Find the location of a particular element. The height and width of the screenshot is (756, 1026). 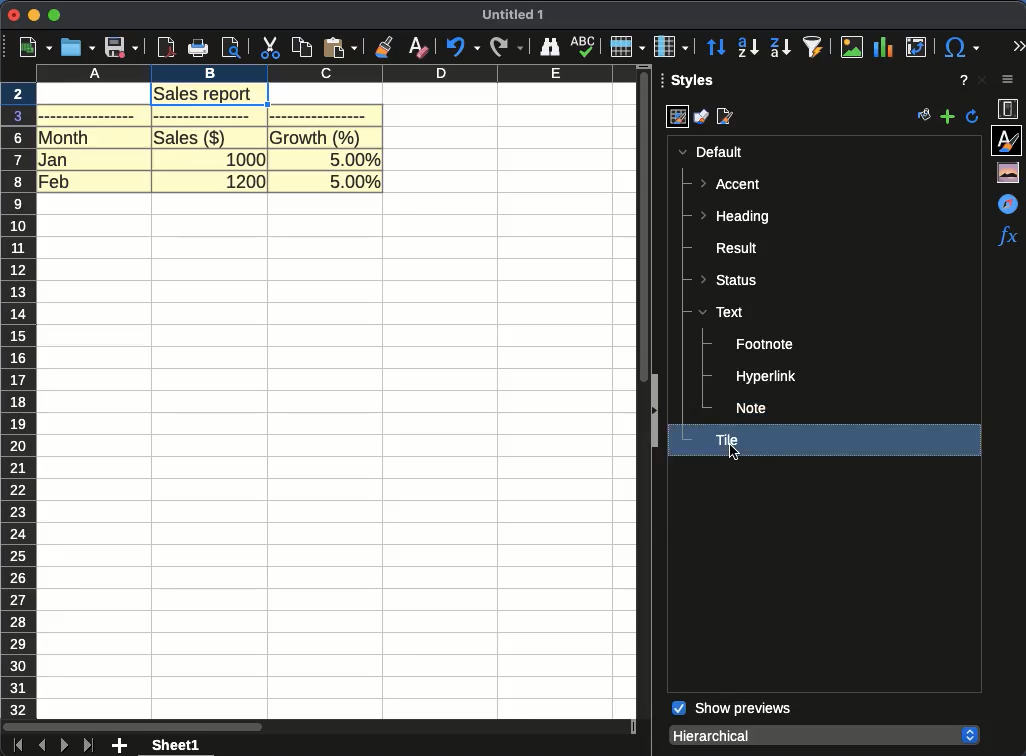

print is located at coordinates (197, 48).